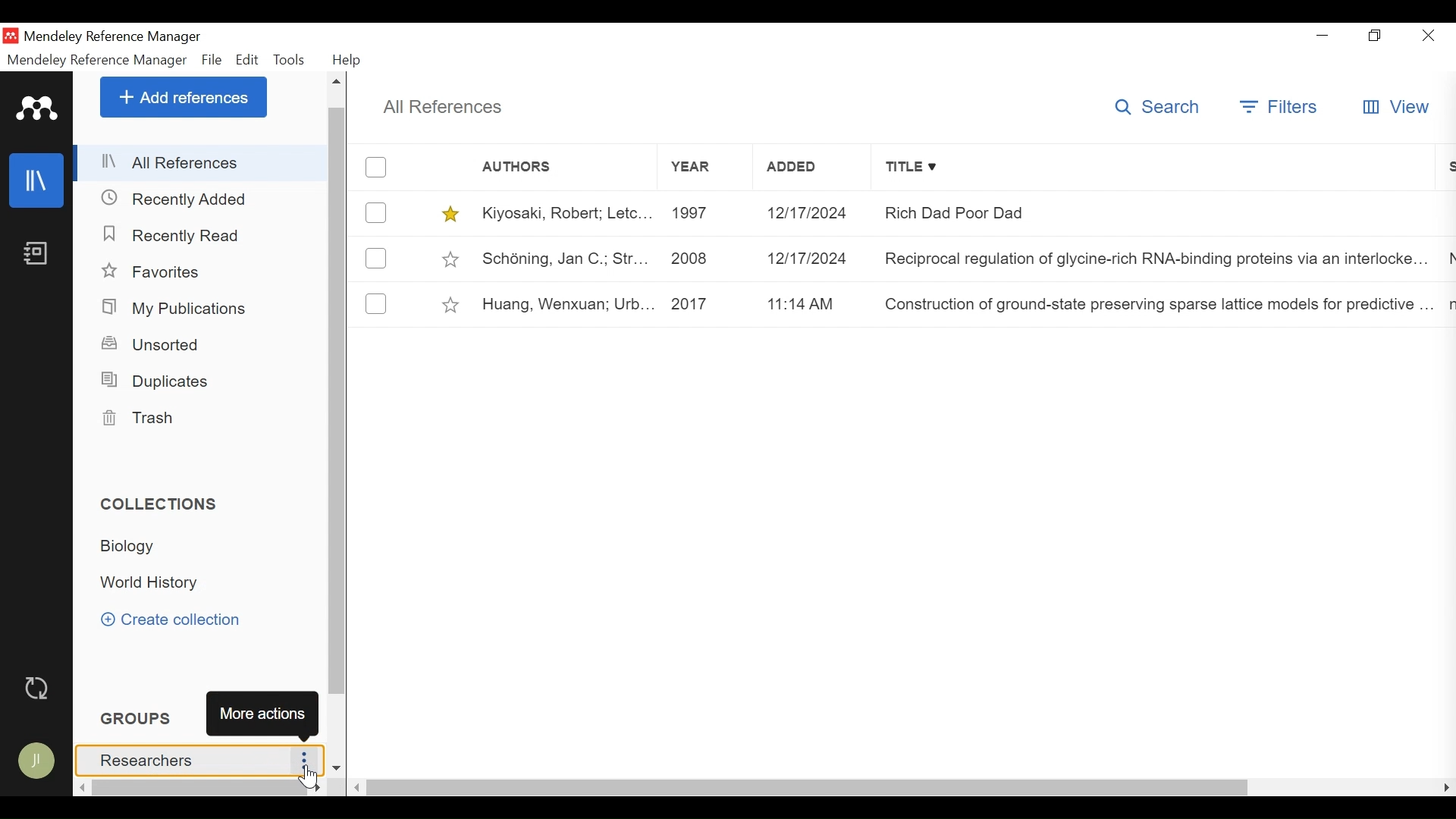  What do you see at coordinates (704, 257) in the screenshot?
I see `2008` at bounding box center [704, 257].